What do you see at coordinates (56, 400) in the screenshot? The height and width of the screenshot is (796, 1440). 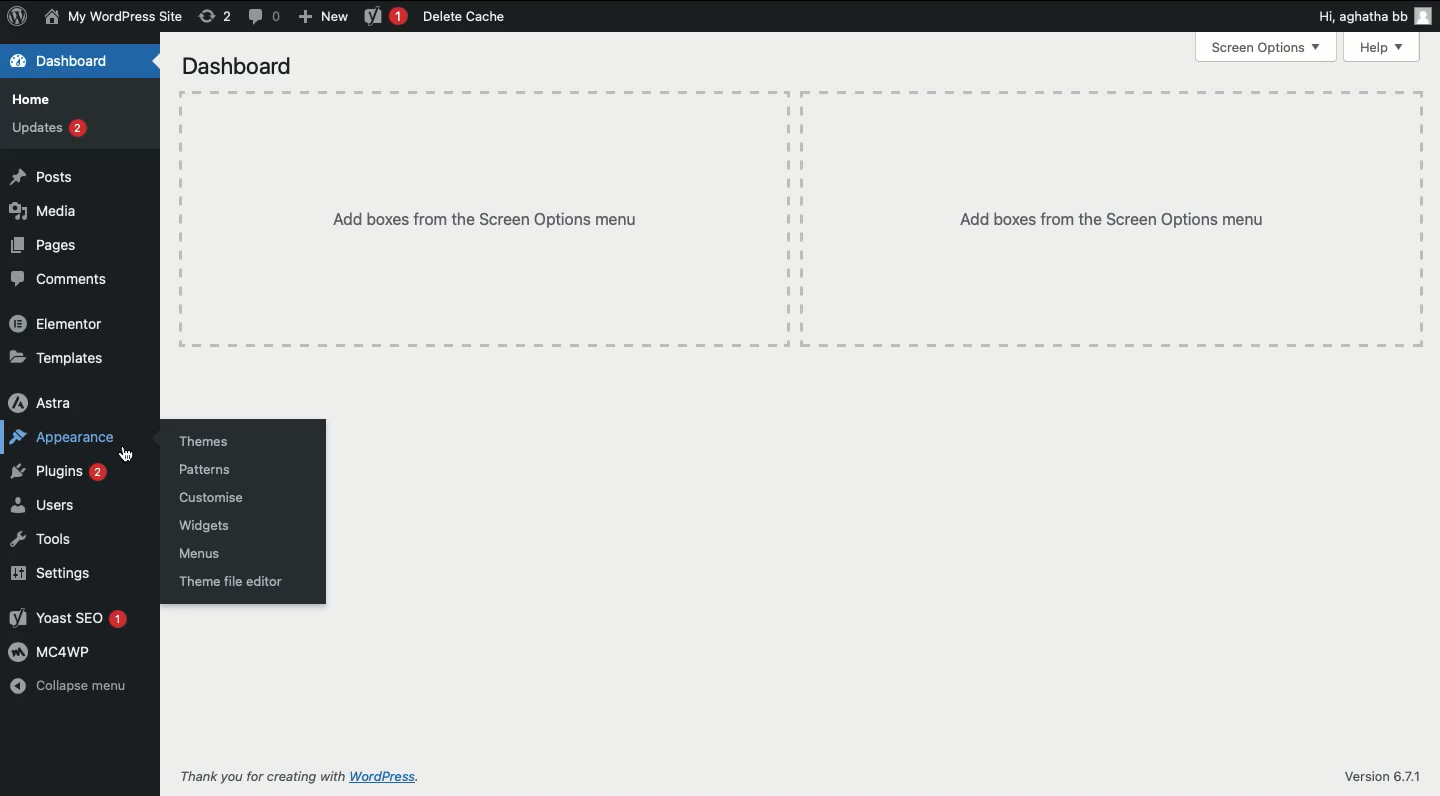 I see `Astra` at bounding box center [56, 400].